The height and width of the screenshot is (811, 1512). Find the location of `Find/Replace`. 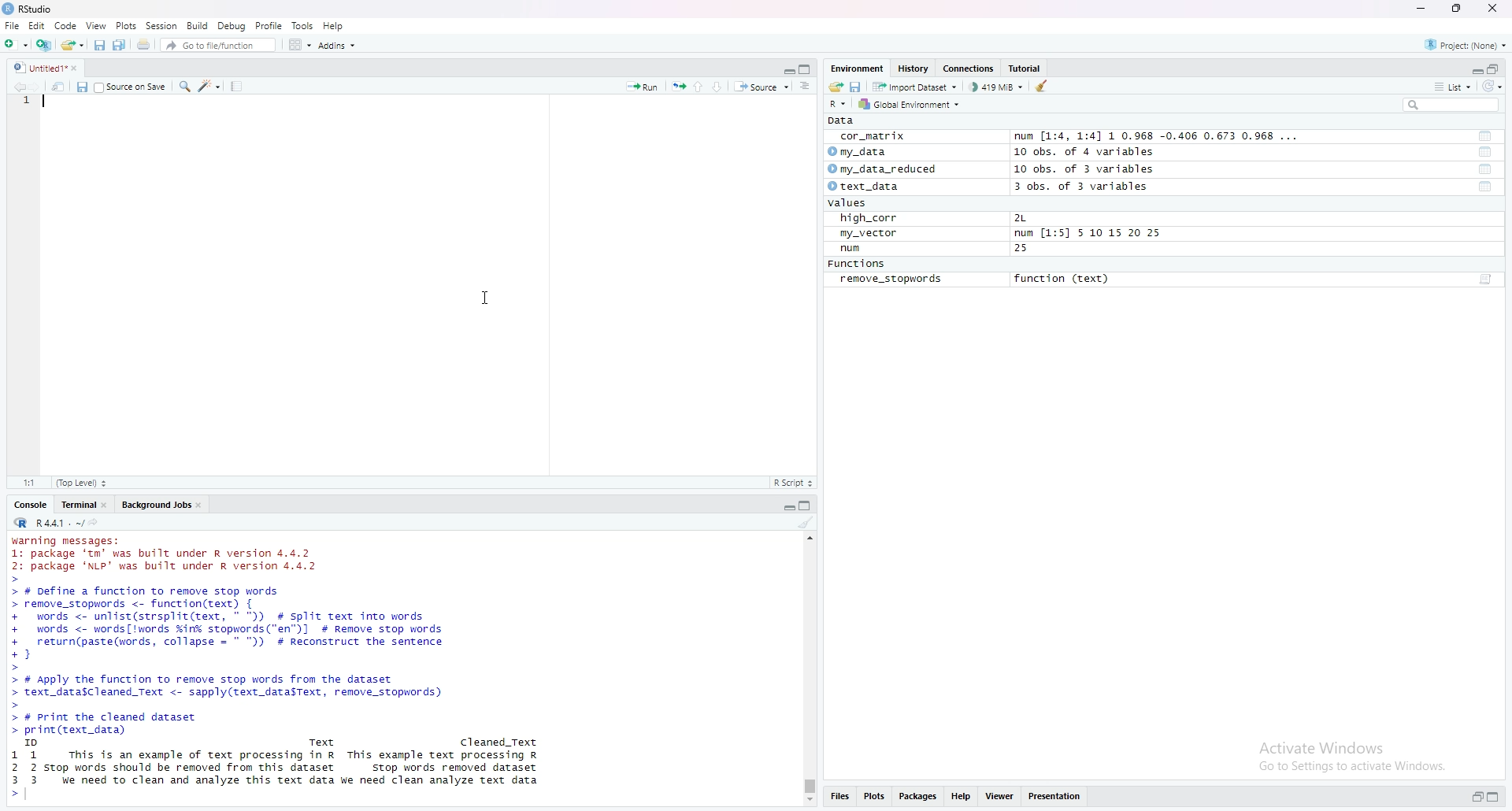

Find/Replace is located at coordinates (186, 88).